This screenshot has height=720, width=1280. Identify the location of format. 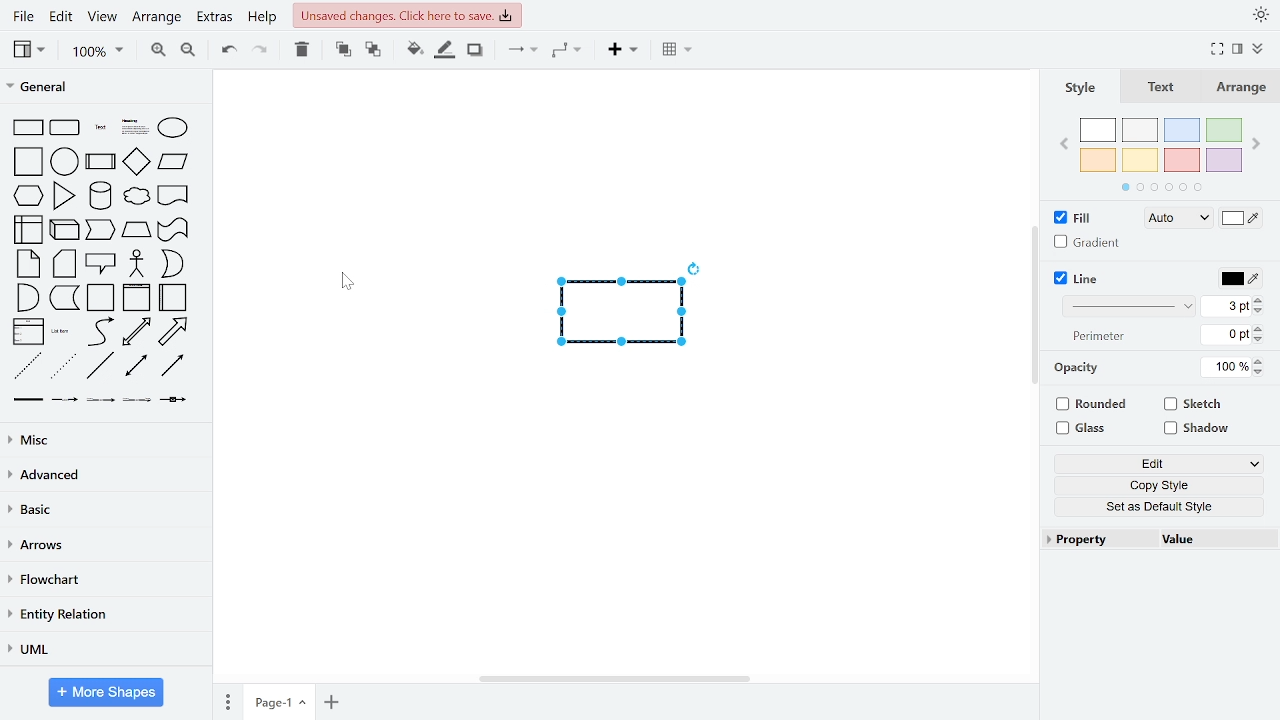
(1238, 49).